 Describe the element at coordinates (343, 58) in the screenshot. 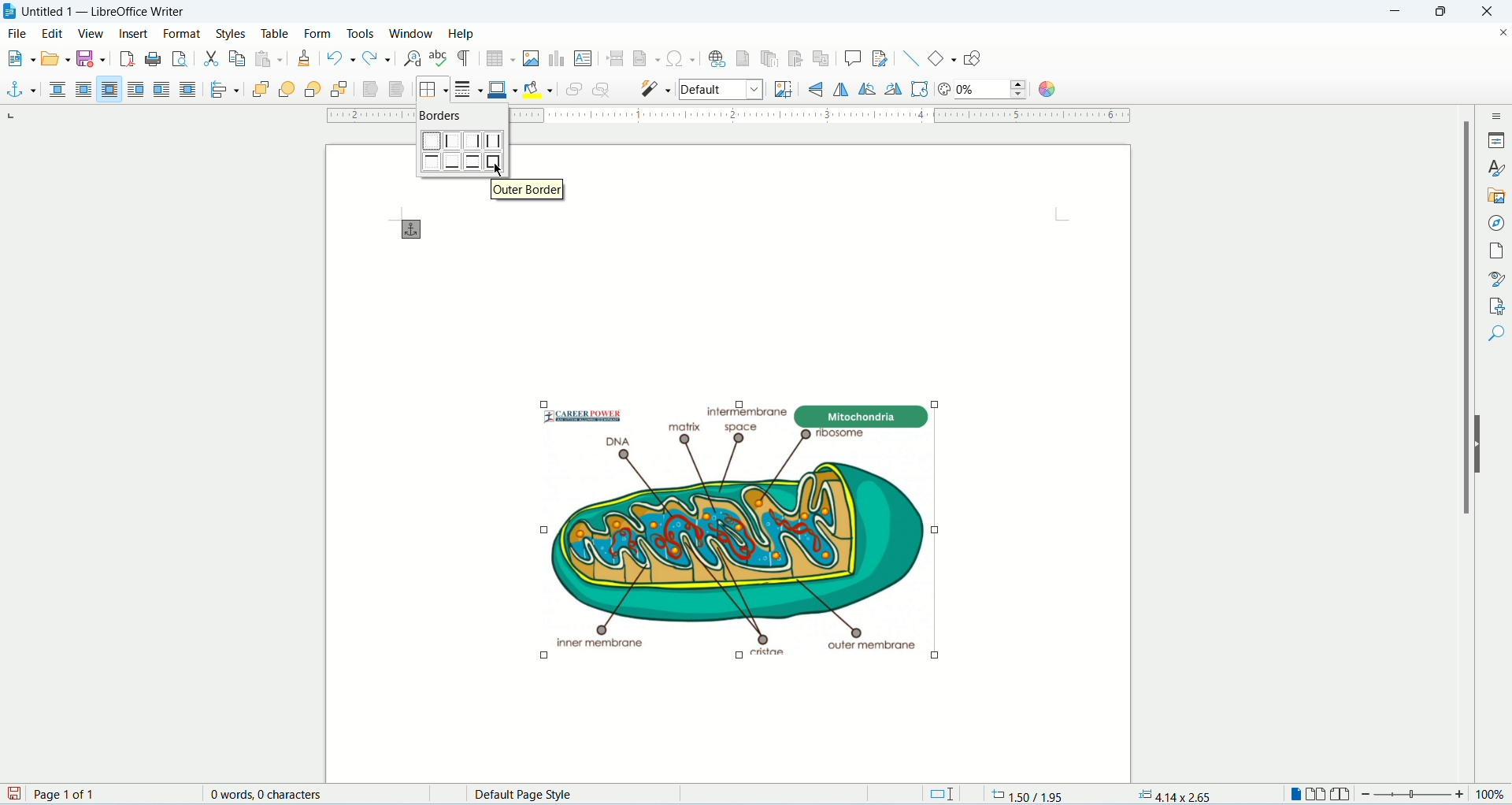

I see `undo` at that location.